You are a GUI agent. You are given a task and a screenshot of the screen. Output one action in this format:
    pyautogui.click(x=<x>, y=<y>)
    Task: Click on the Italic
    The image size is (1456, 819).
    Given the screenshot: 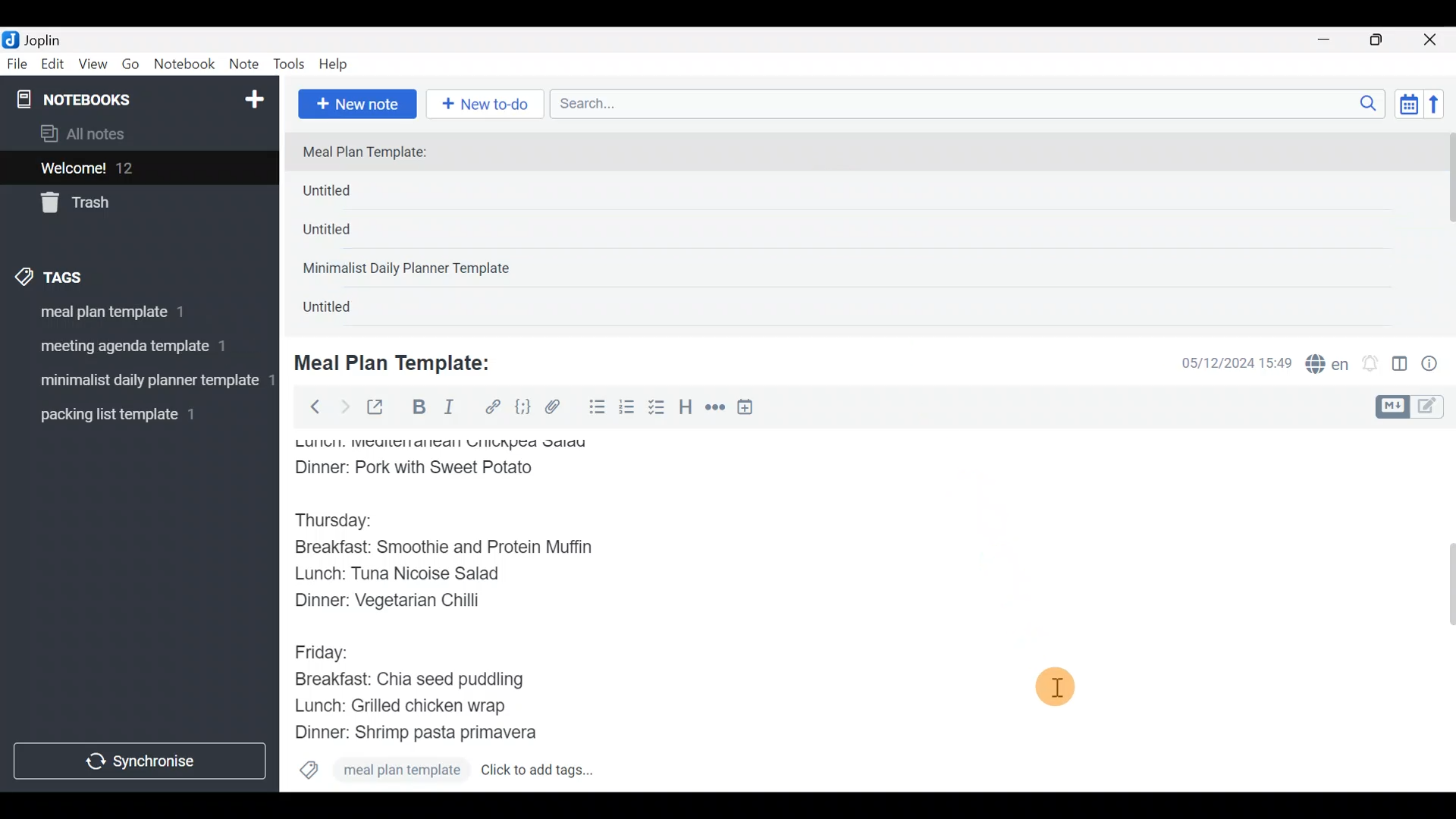 What is the action you would take?
    pyautogui.click(x=447, y=410)
    